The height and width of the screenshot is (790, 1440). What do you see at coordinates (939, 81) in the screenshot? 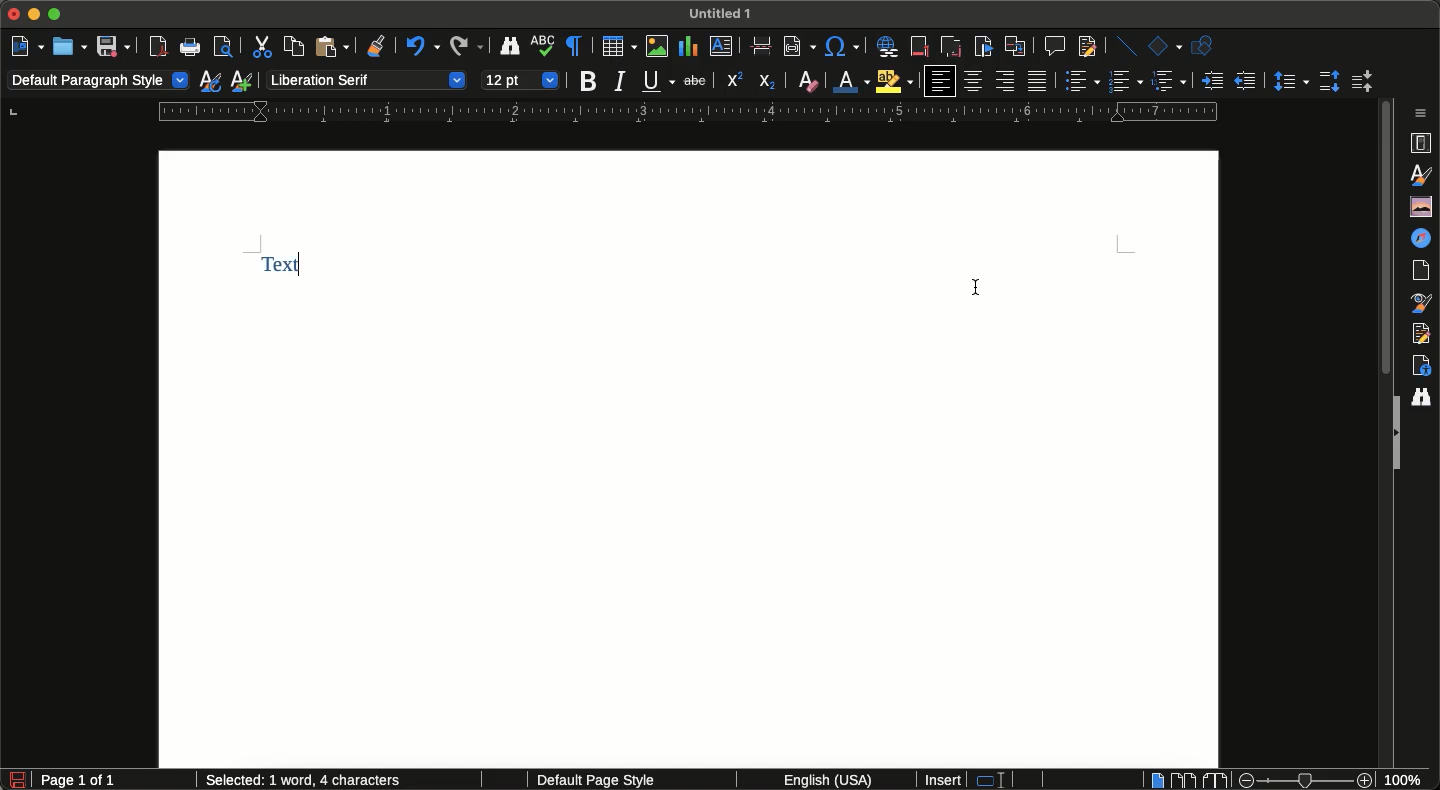
I see `Align left` at bounding box center [939, 81].